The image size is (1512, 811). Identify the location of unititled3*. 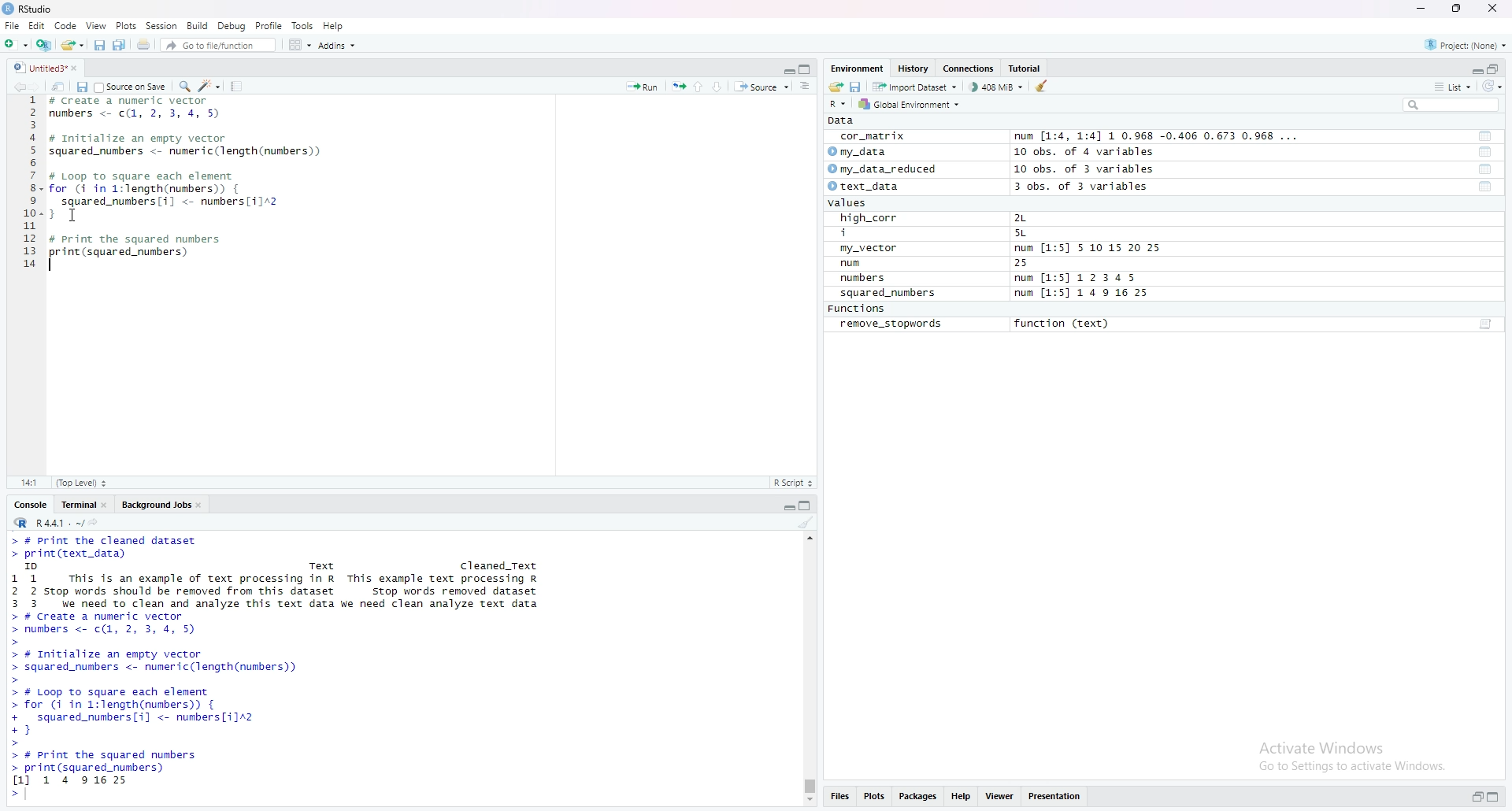
(37, 67).